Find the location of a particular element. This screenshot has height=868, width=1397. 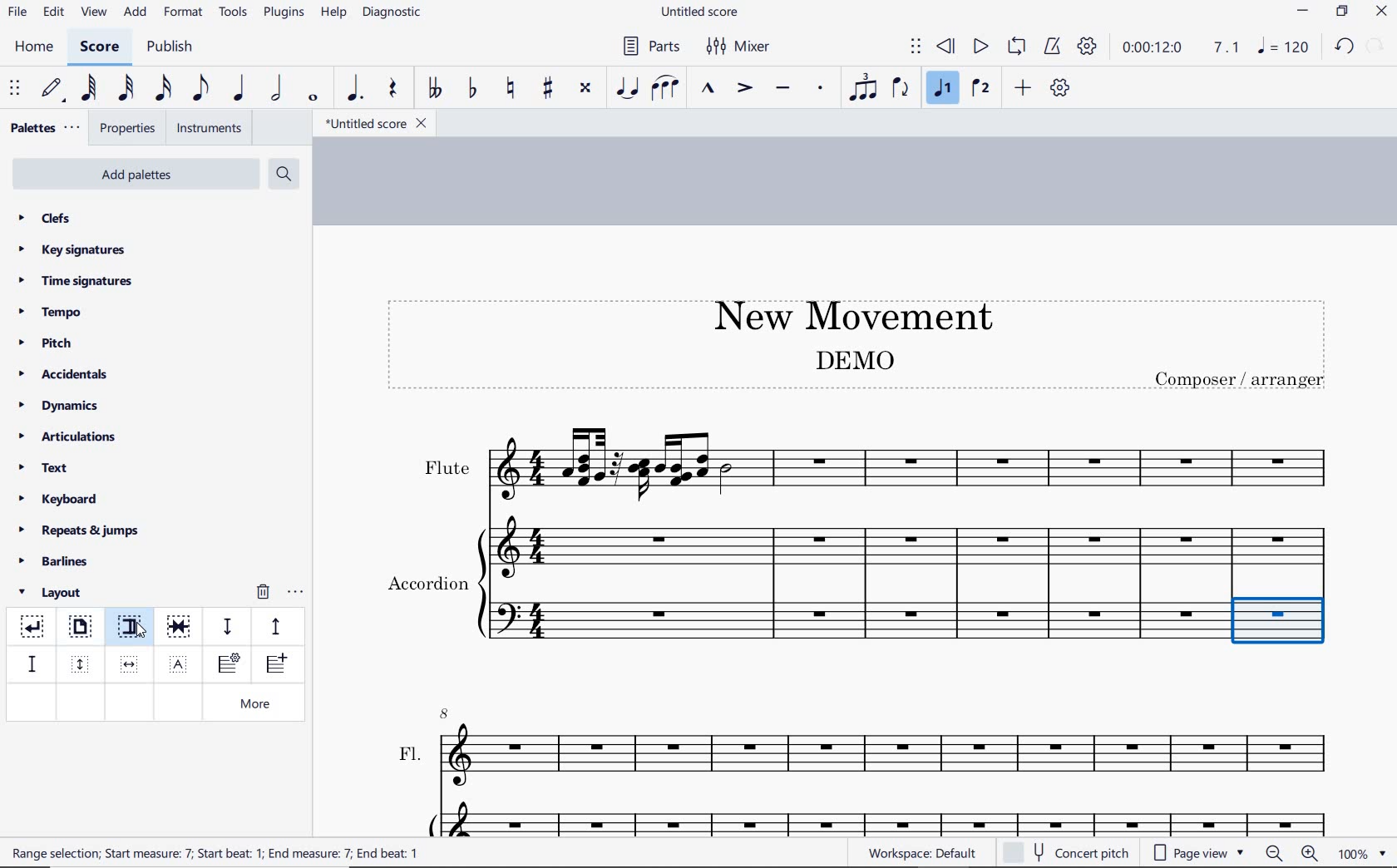

staff spacer fixed down is located at coordinates (30, 663).